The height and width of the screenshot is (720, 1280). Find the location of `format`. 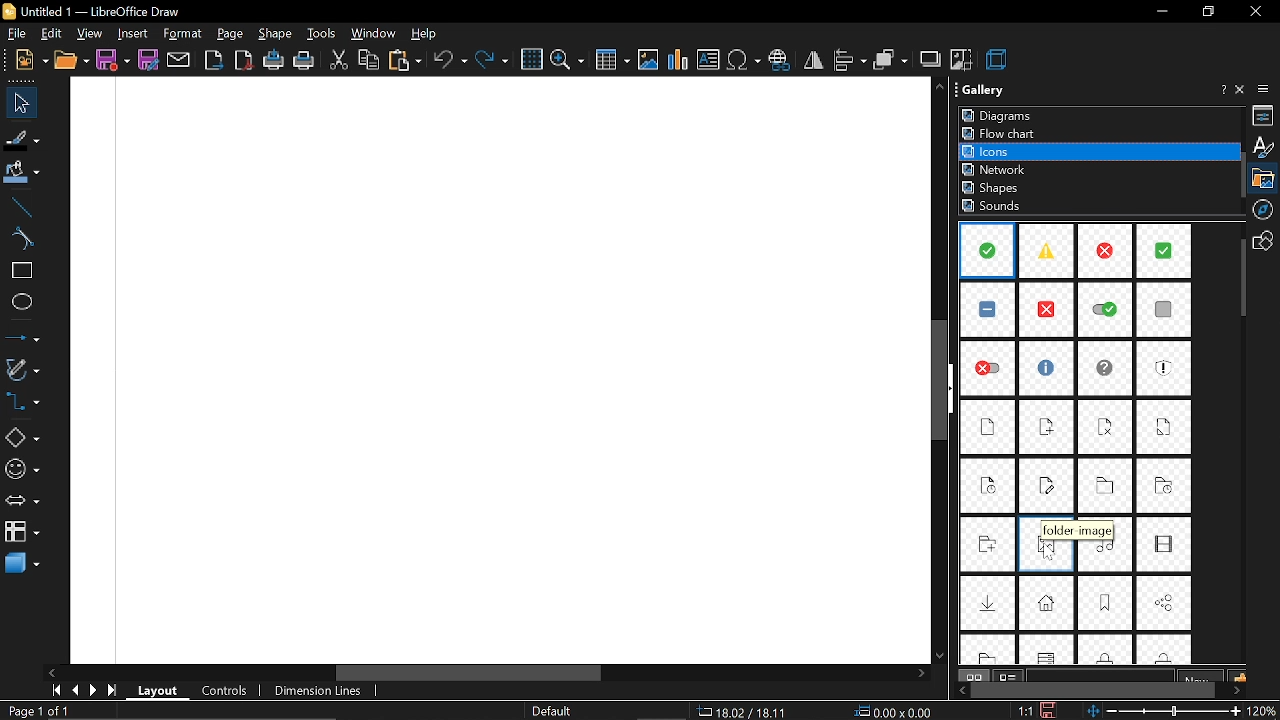

format is located at coordinates (183, 35).